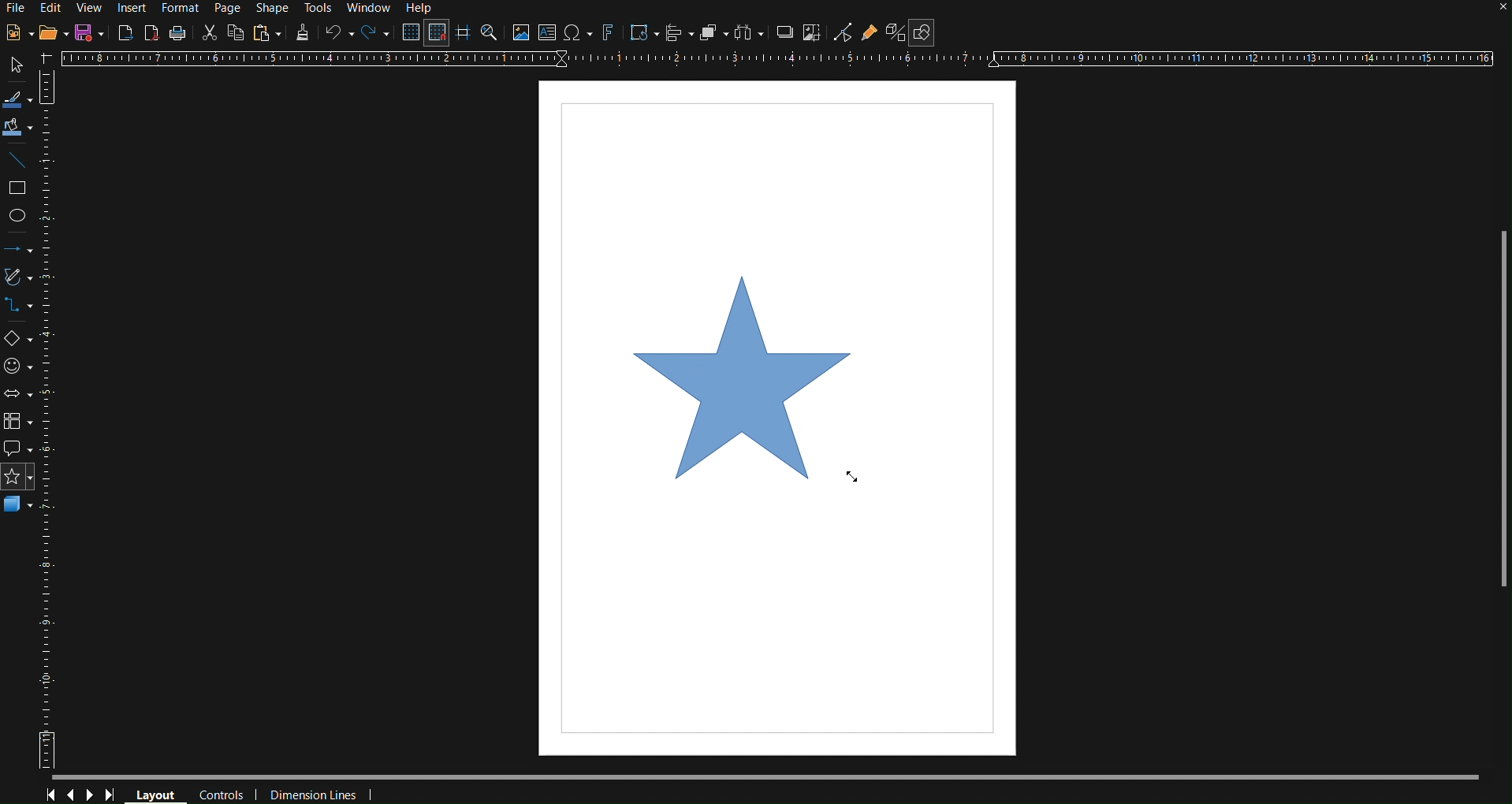 This screenshot has width=1512, height=804. Describe the element at coordinates (227, 7) in the screenshot. I see `Page` at that location.